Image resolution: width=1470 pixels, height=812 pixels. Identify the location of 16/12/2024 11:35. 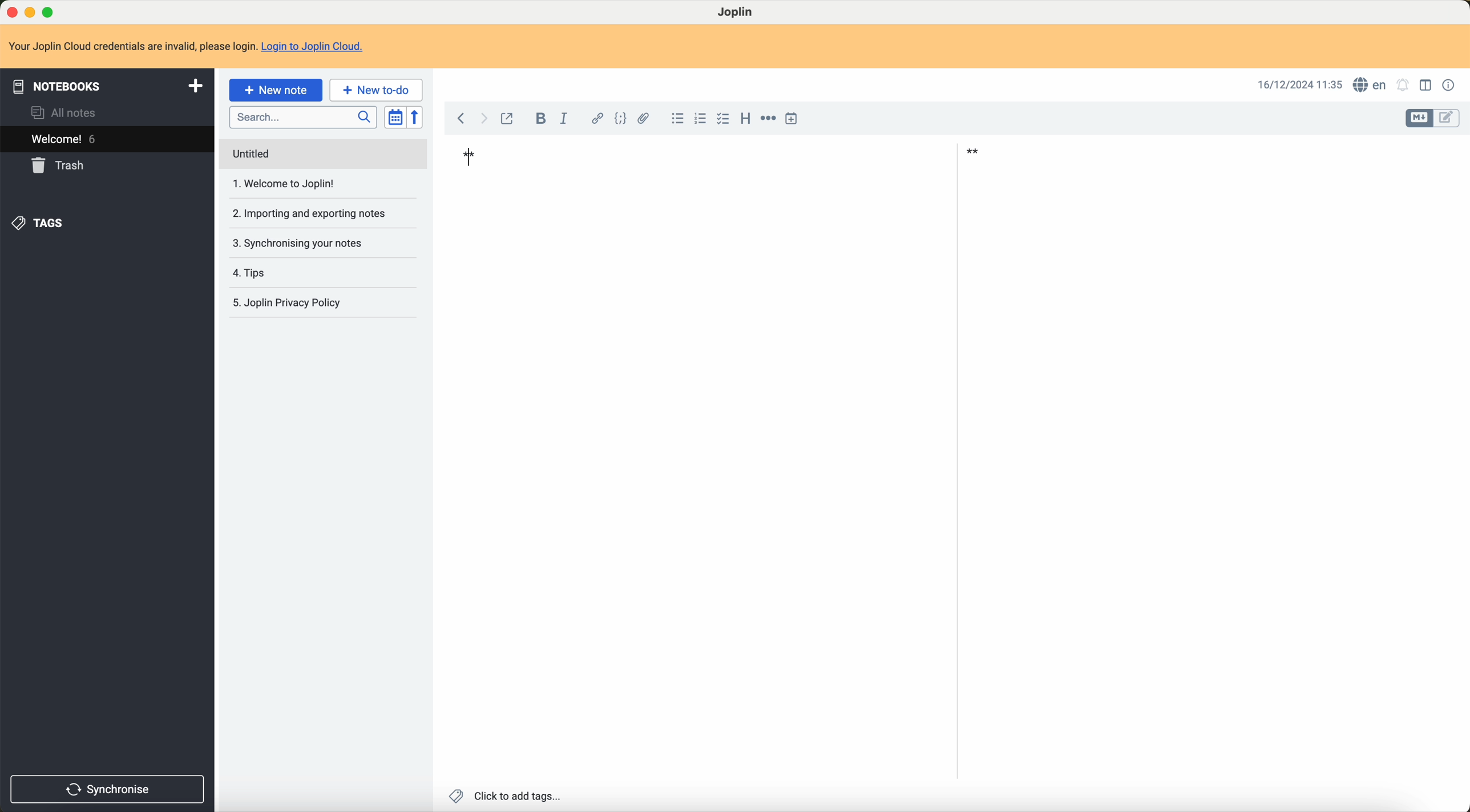
(1297, 85).